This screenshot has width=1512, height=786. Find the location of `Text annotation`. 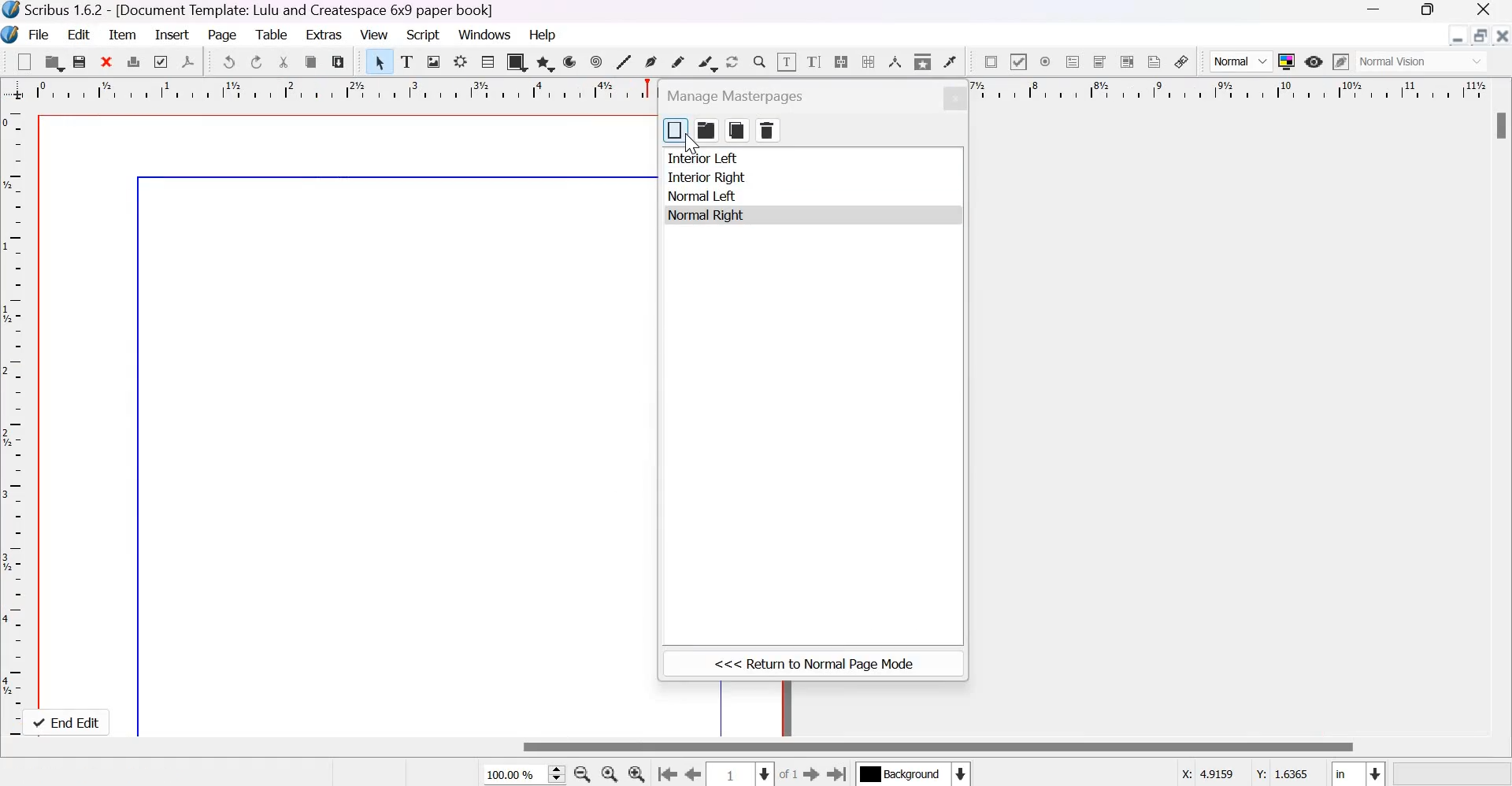

Text annotation is located at coordinates (1154, 61).